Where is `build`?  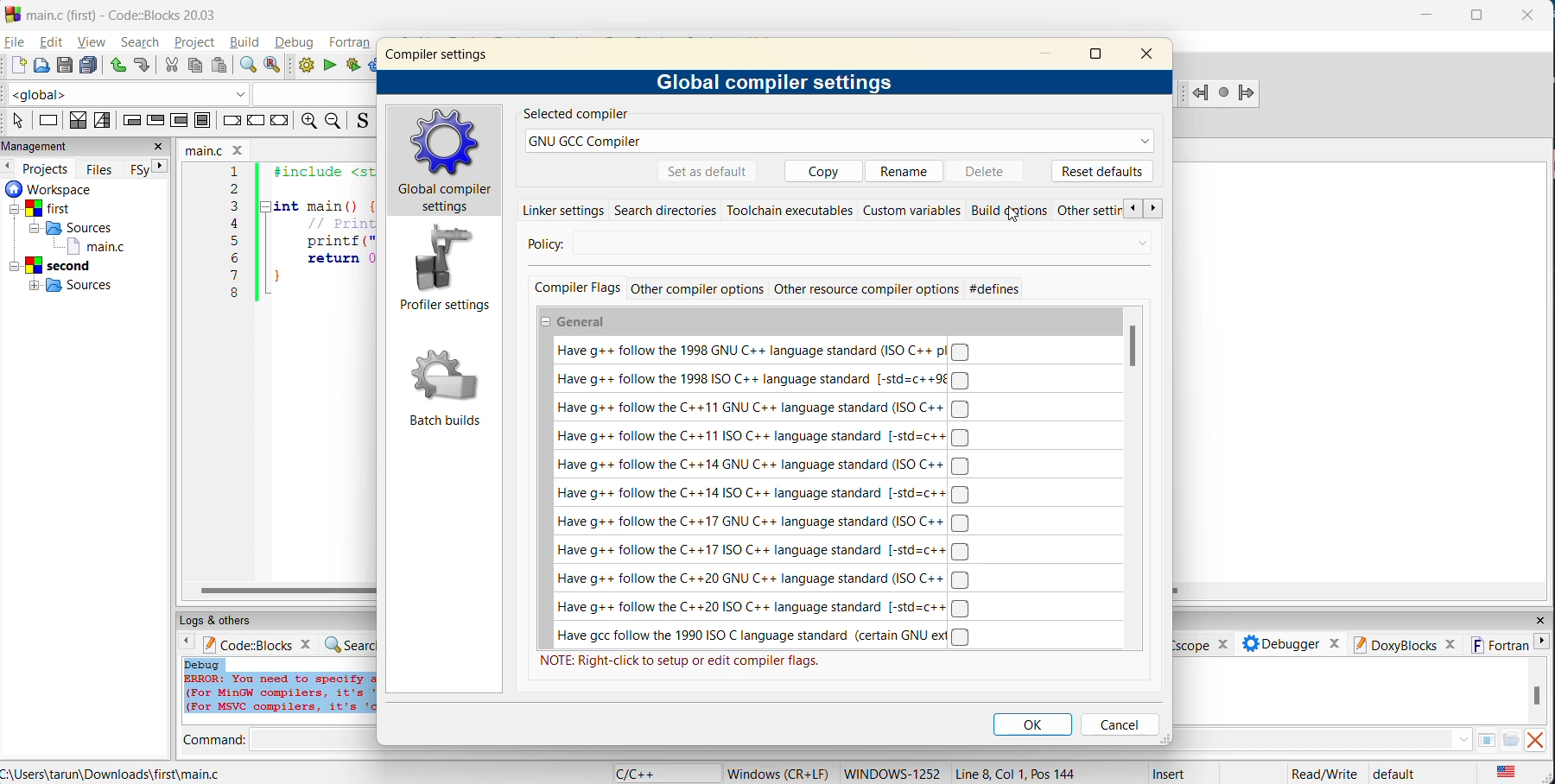
build is located at coordinates (305, 66).